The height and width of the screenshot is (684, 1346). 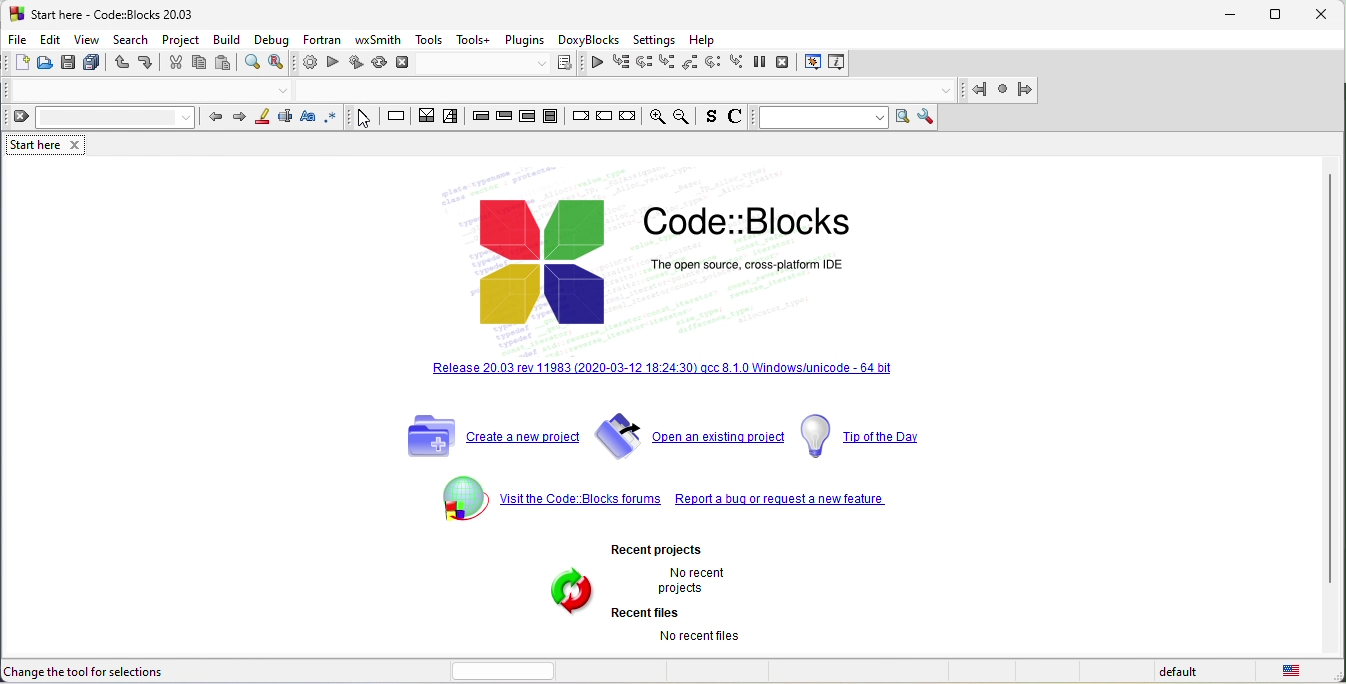 What do you see at coordinates (505, 670) in the screenshot?
I see `horizontal scroll bar` at bounding box center [505, 670].